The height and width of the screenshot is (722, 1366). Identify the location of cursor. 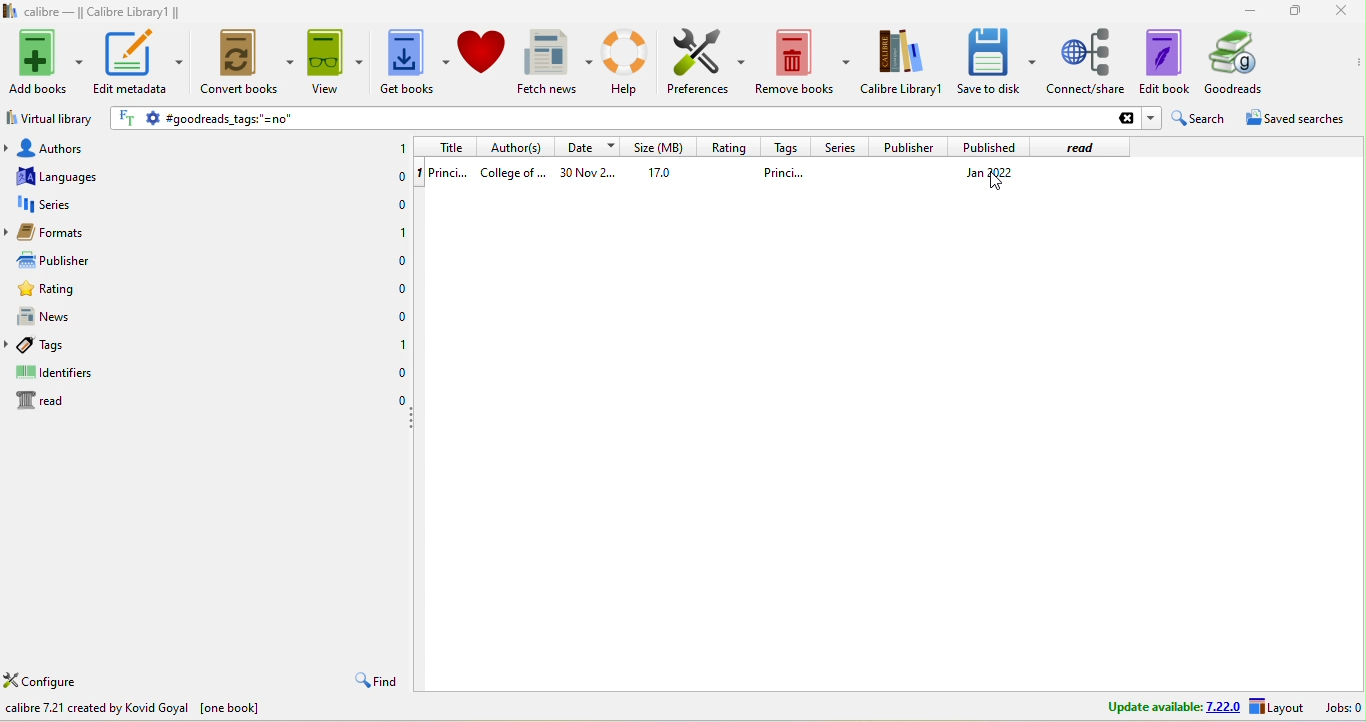
(1000, 186).